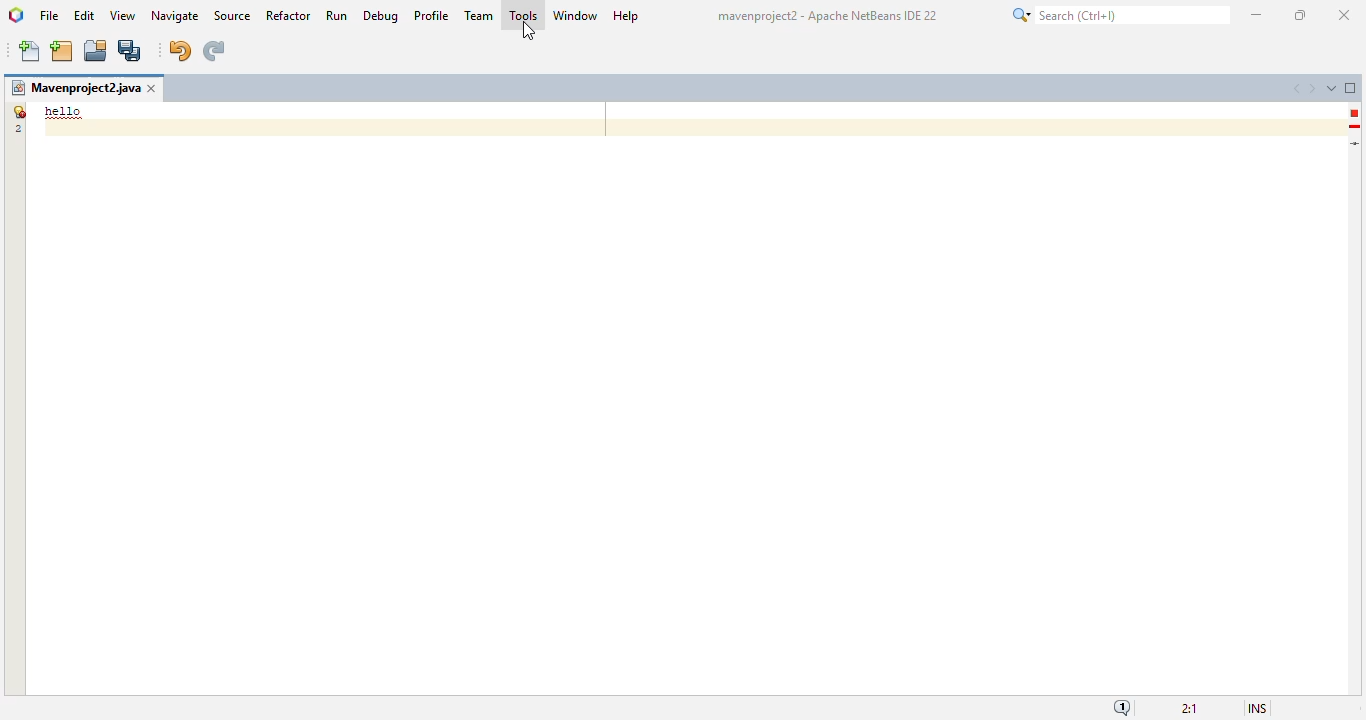  I want to click on edit, so click(85, 15).